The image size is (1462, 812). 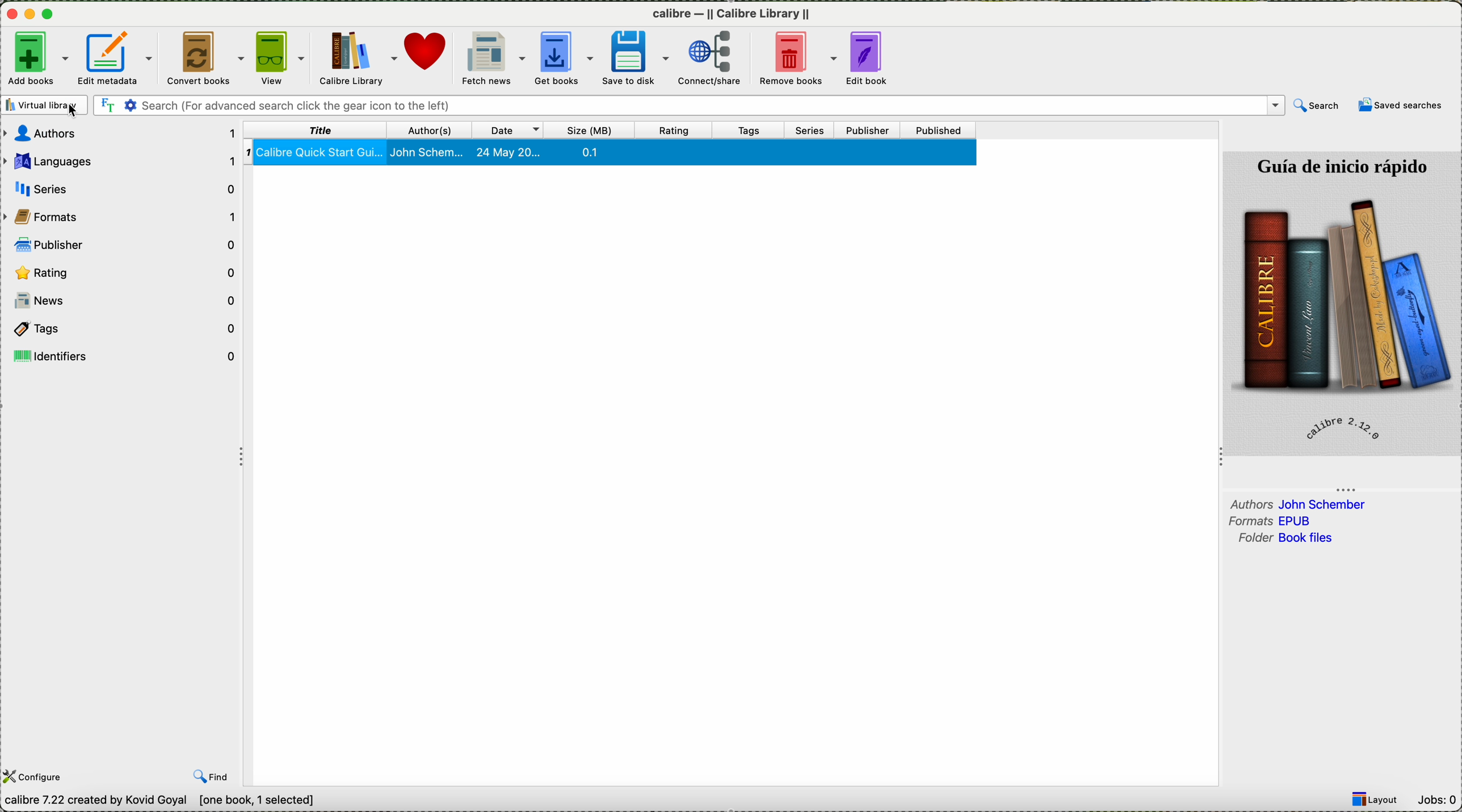 What do you see at coordinates (117, 58) in the screenshot?
I see `edit metadata` at bounding box center [117, 58].